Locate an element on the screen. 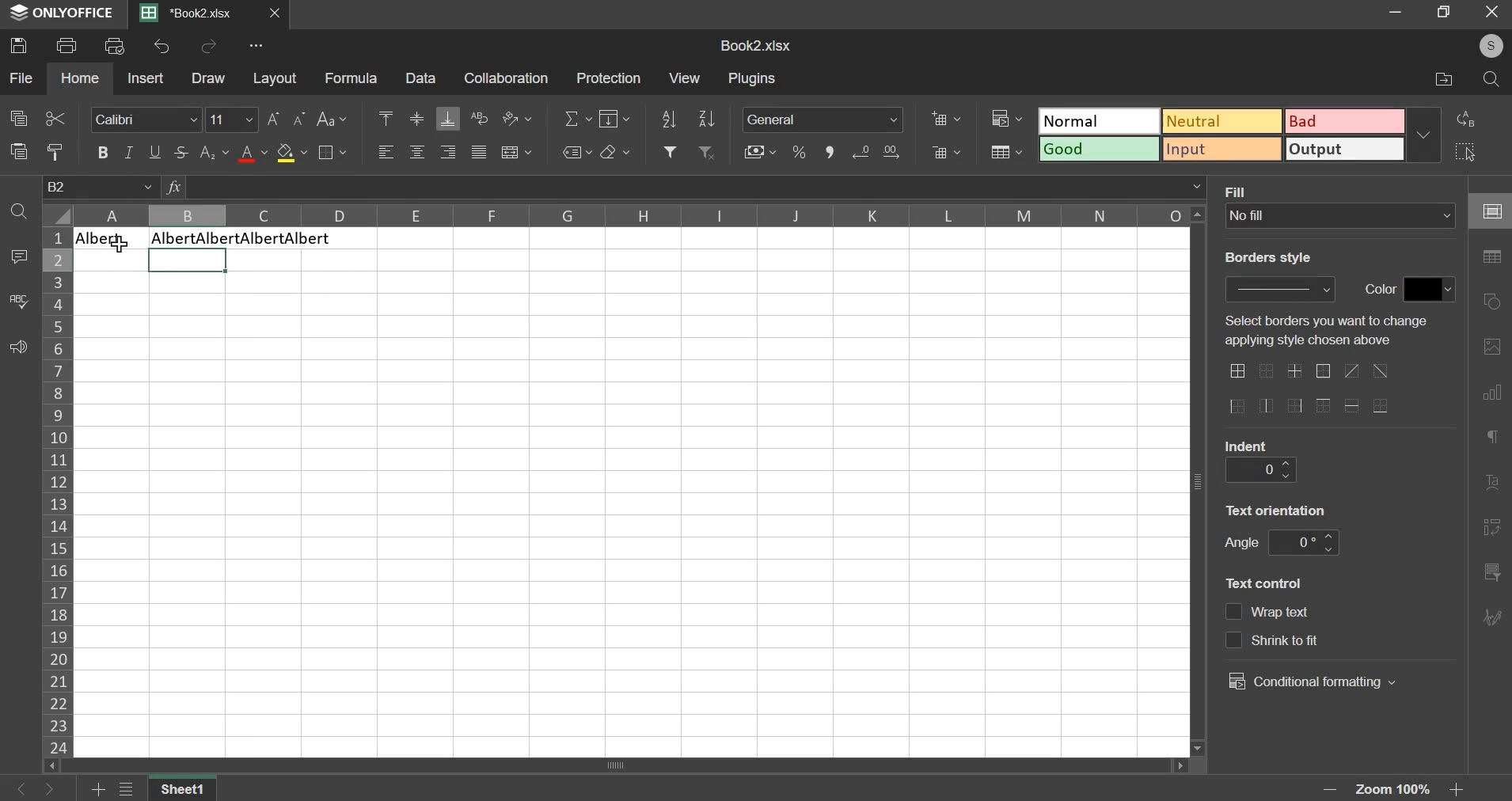 The image size is (1512, 801). delete cells is located at coordinates (946, 152).